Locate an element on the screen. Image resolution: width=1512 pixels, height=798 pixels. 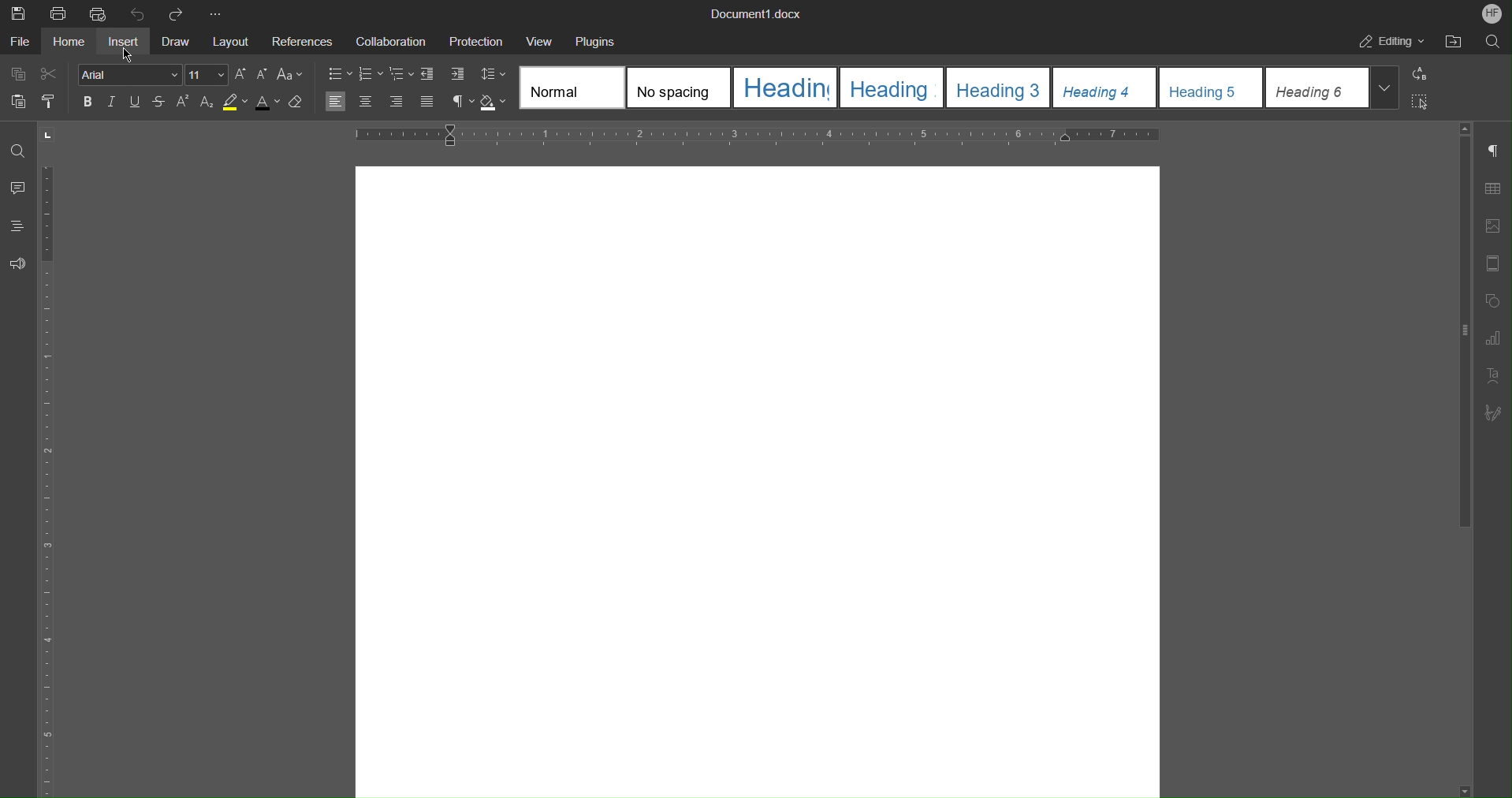
Heading 5 is located at coordinates (1212, 88).